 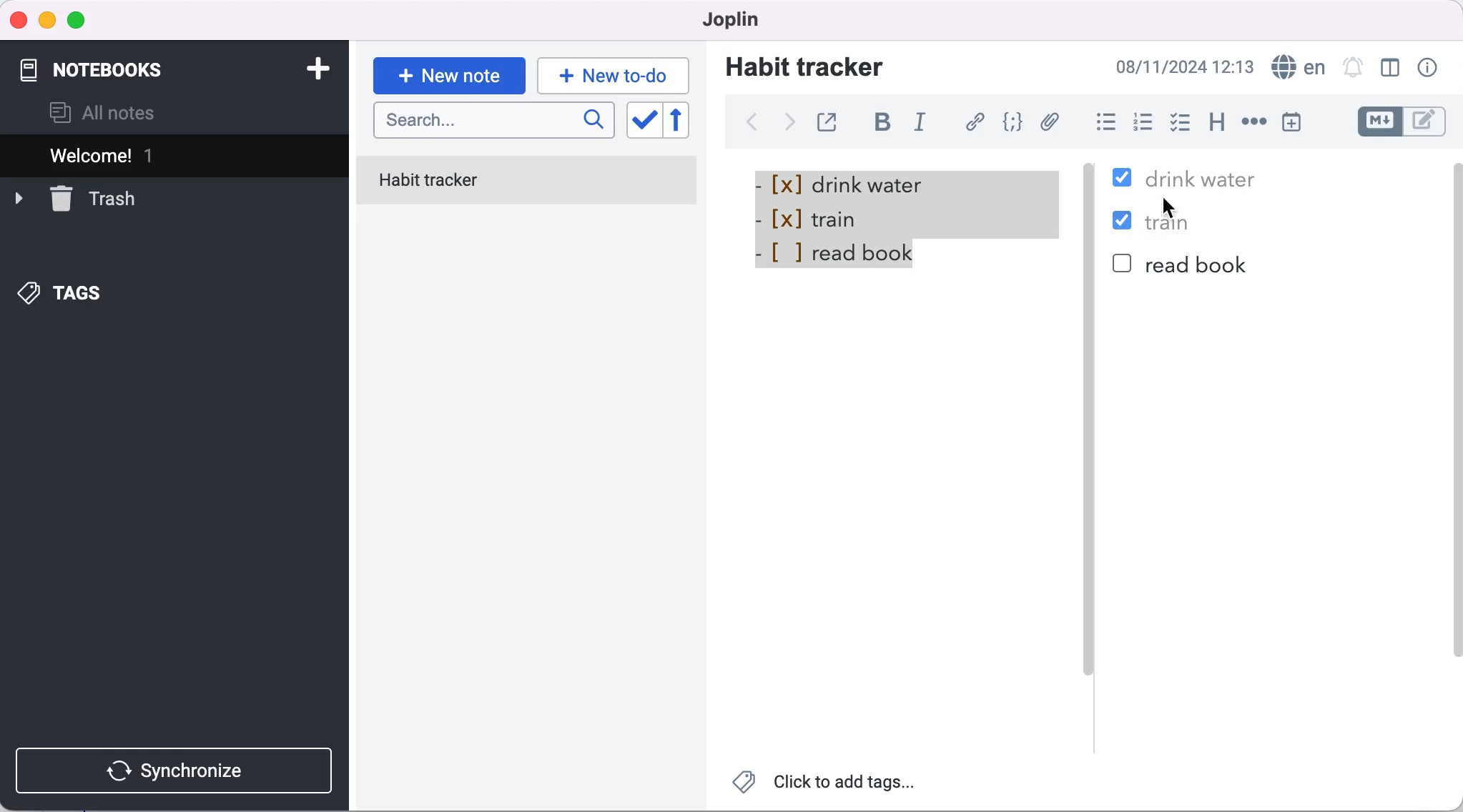 What do you see at coordinates (1296, 67) in the screenshot?
I see `language` at bounding box center [1296, 67].